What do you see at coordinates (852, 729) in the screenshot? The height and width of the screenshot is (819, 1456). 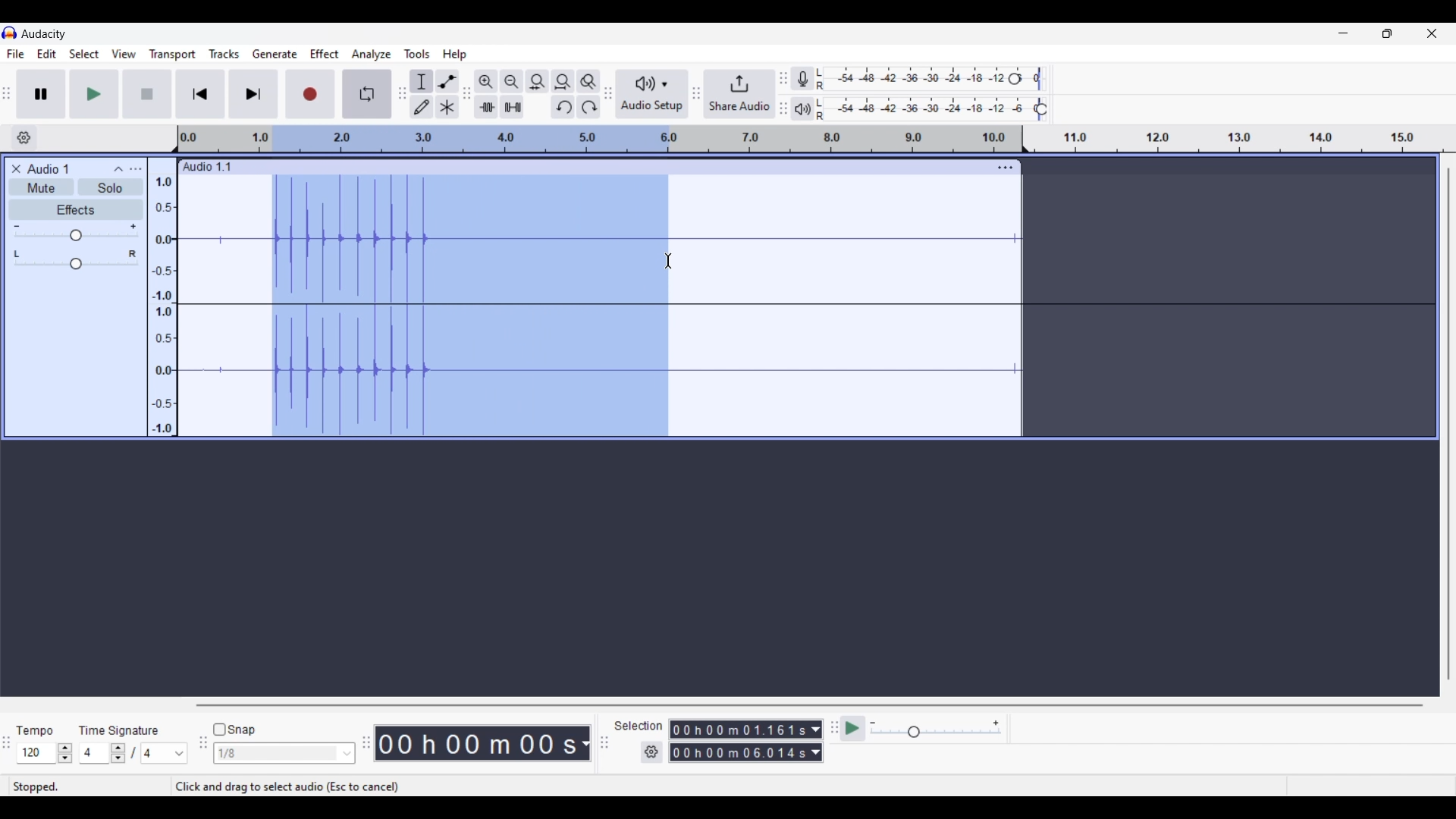 I see `Play-at-speed/Play-at-speed once` at bounding box center [852, 729].